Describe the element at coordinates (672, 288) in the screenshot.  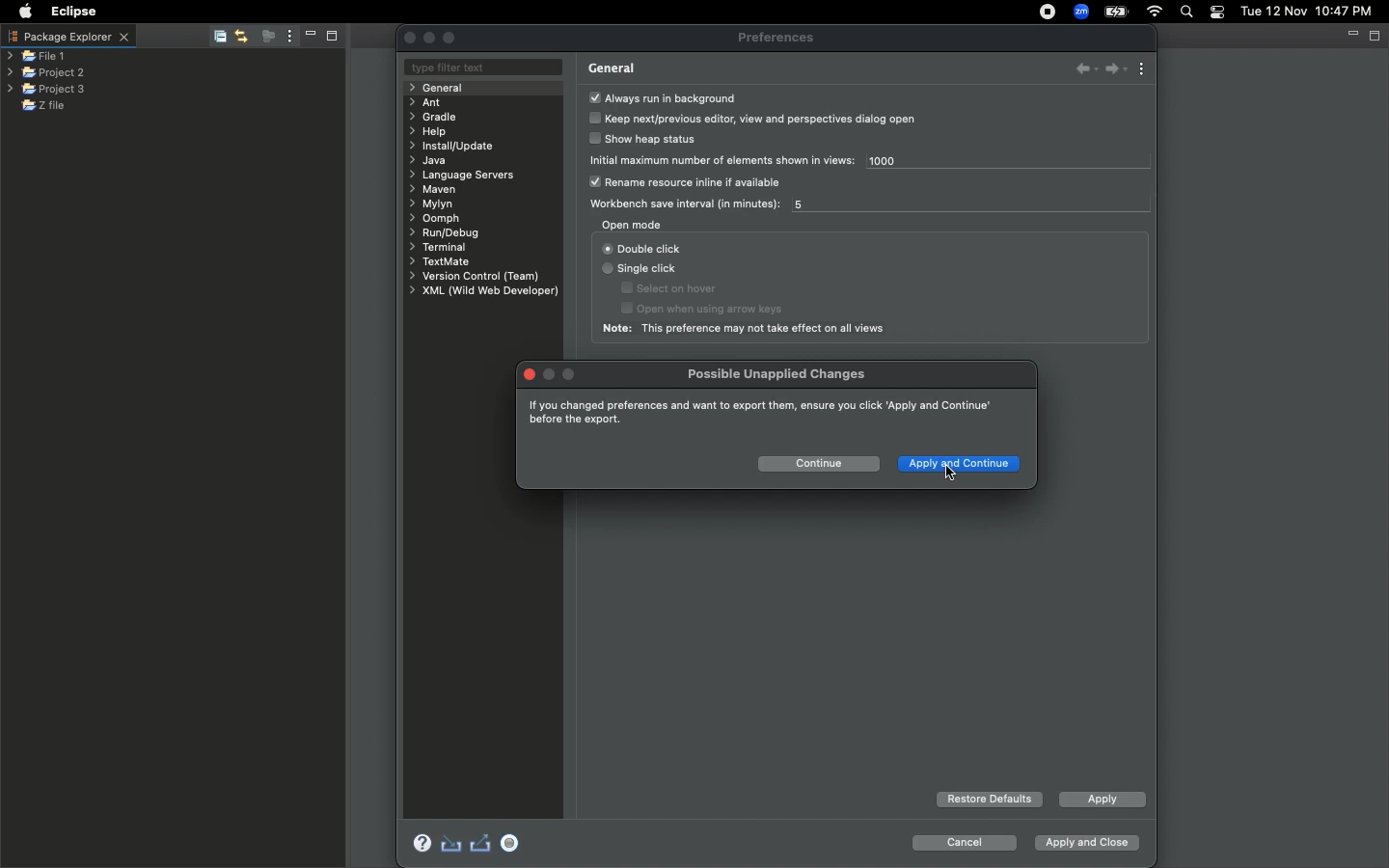
I see `Select on hover` at that location.